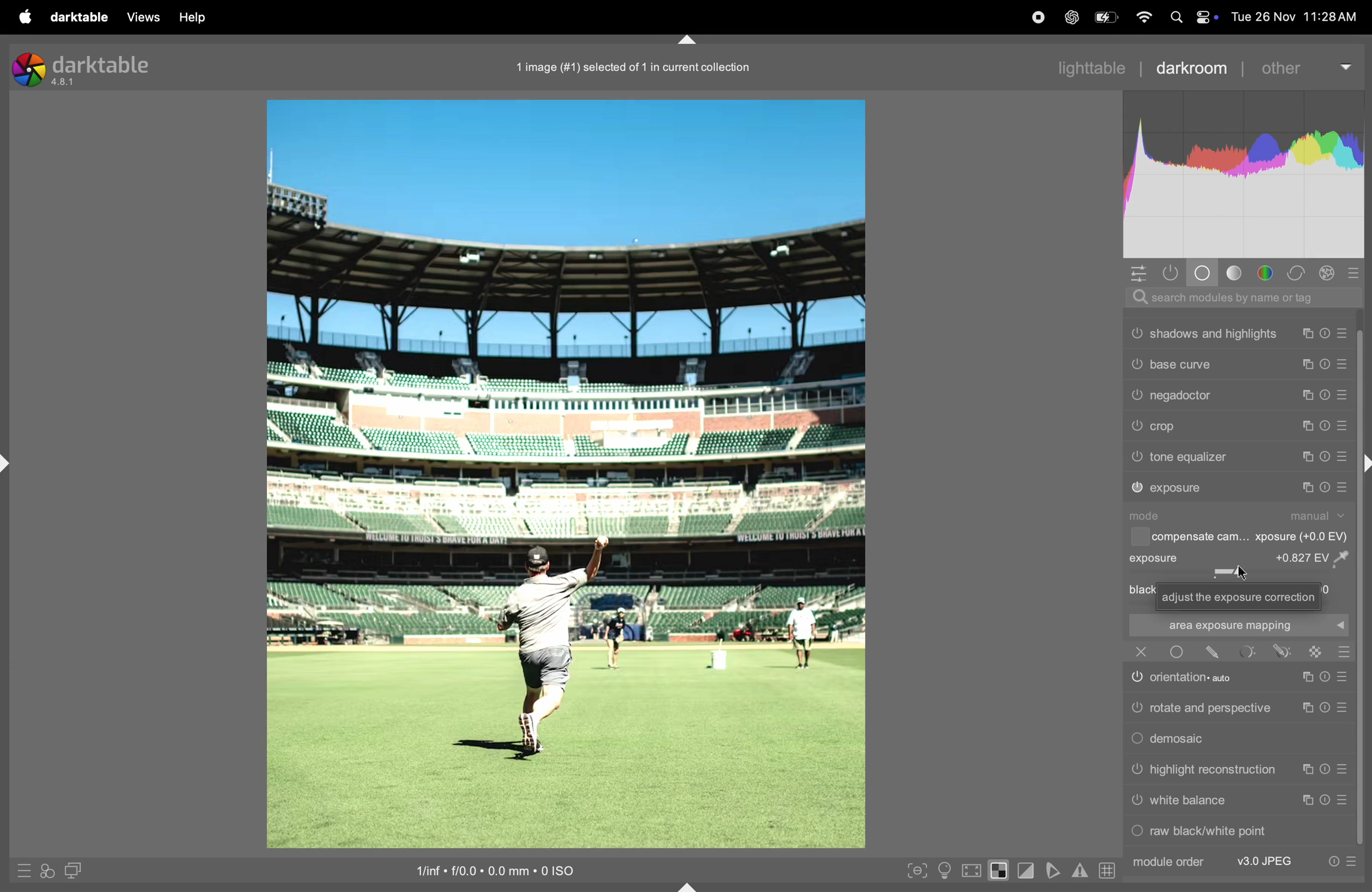 This screenshot has width=1372, height=892. I want to click on lightable, so click(1083, 68).